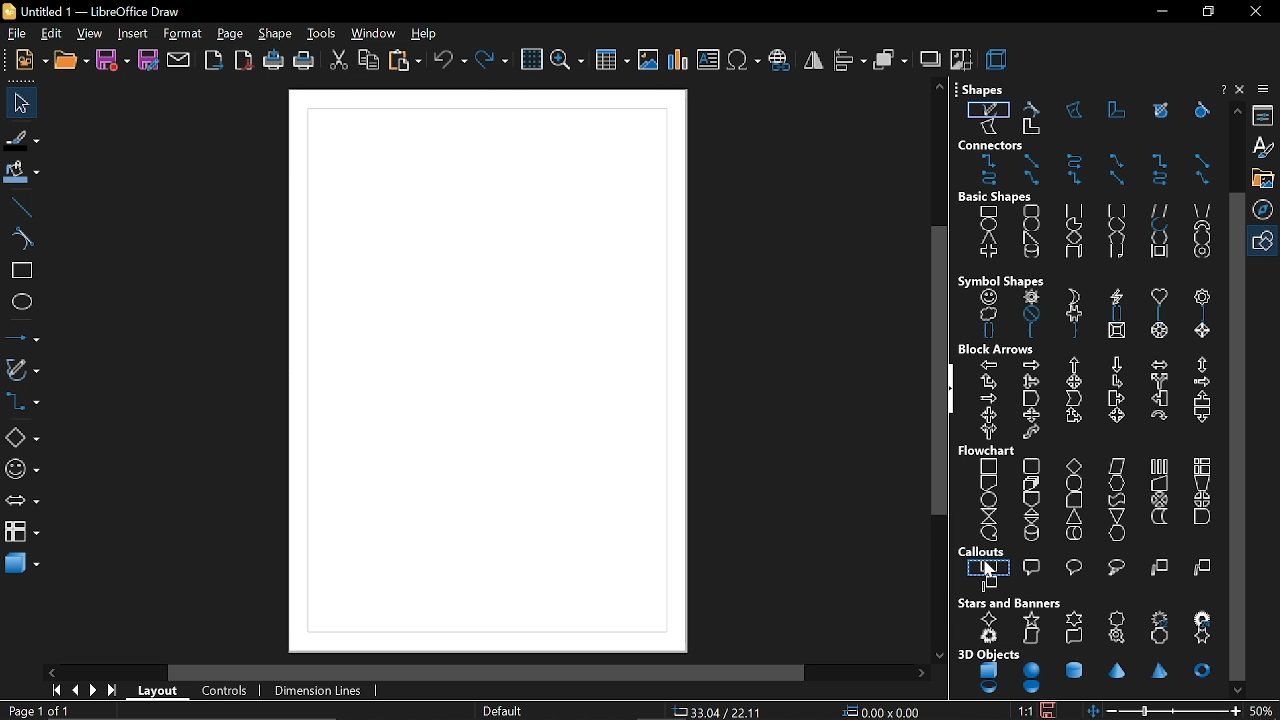 This screenshot has height=720, width=1280. Describe the element at coordinates (1074, 382) in the screenshot. I see `4 way arrow` at that location.